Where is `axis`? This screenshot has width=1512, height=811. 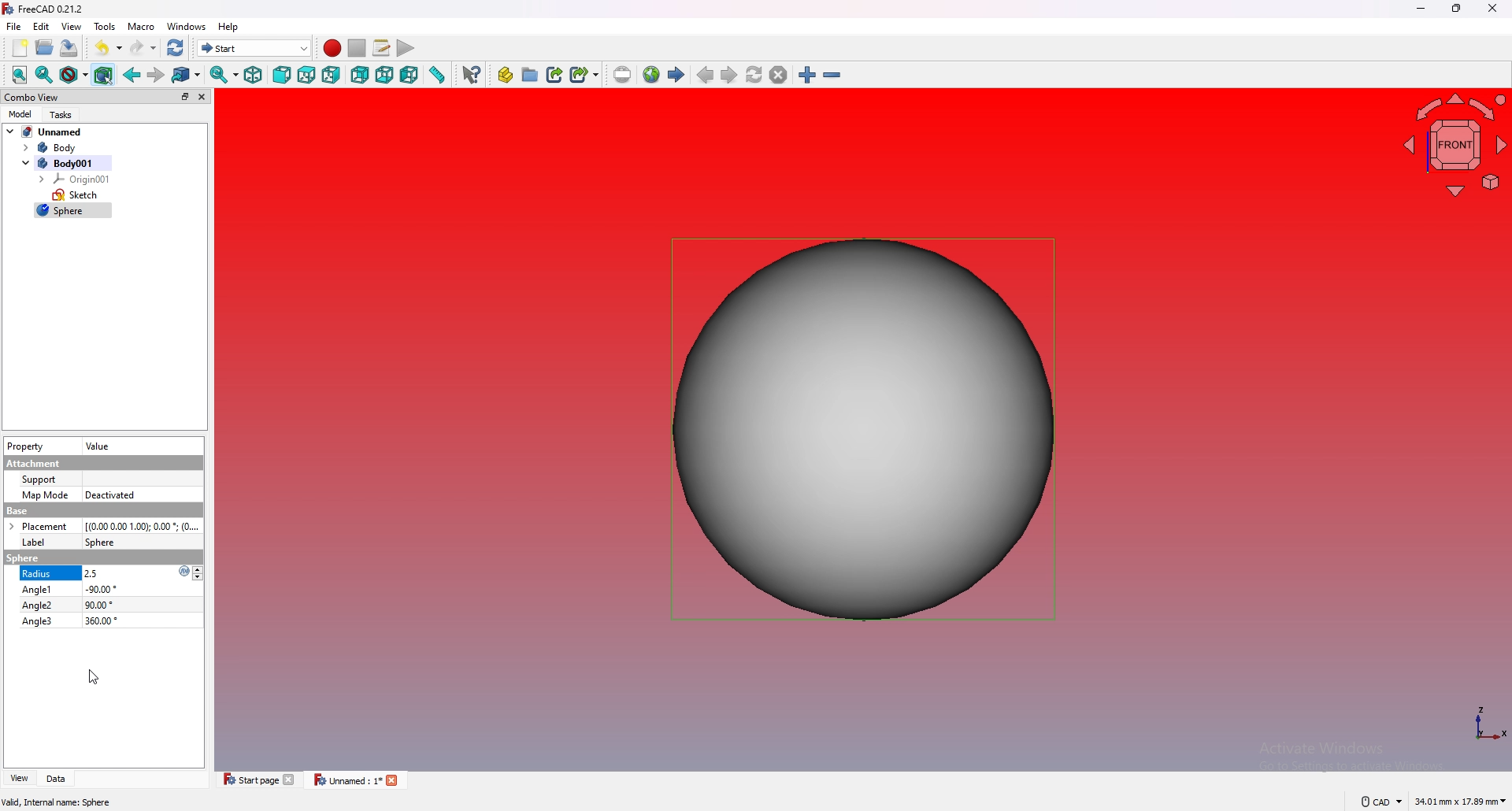 axis is located at coordinates (1489, 724).